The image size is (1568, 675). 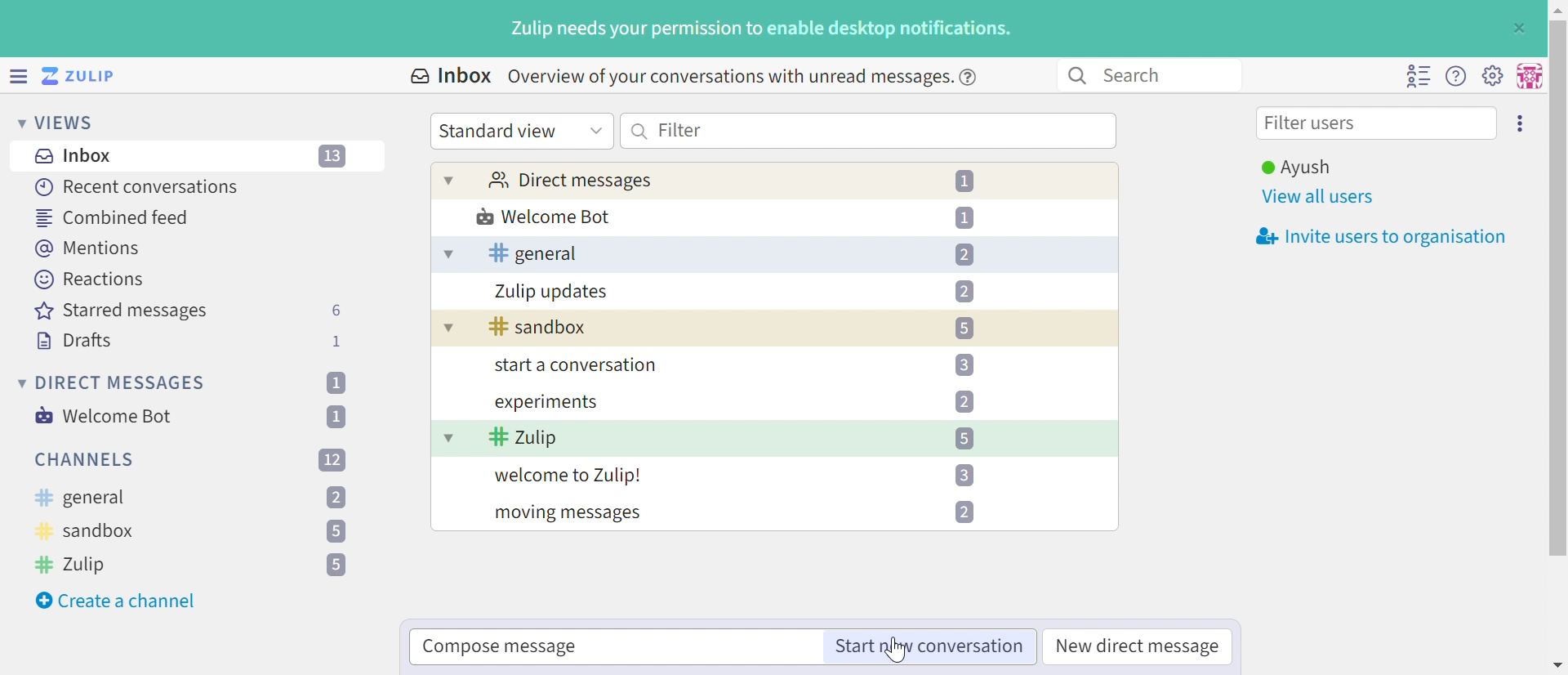 I want to click on Search, so click(x=1076, y=76).